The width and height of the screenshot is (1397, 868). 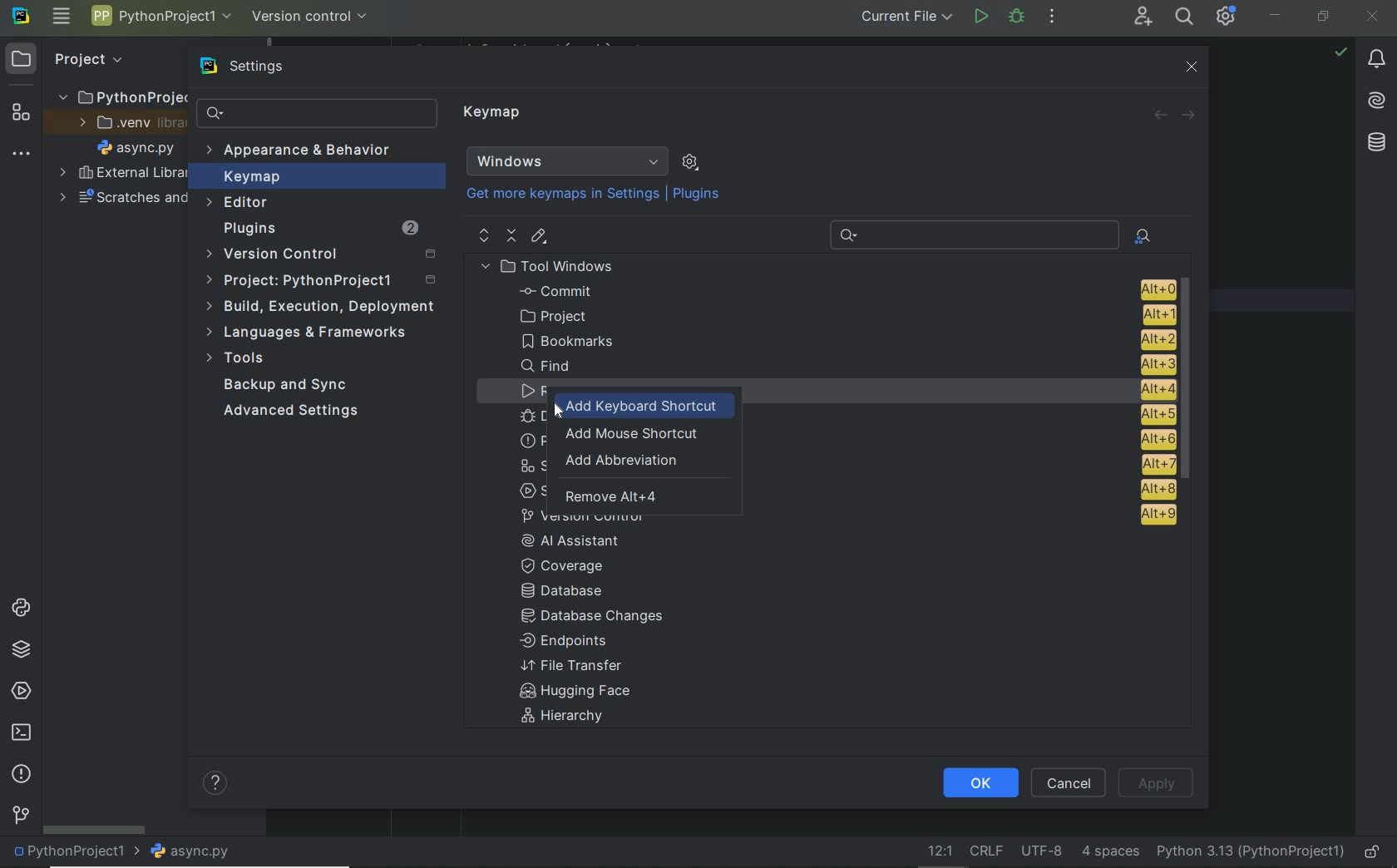 I want to click on file name, so click(x=136, y=147).